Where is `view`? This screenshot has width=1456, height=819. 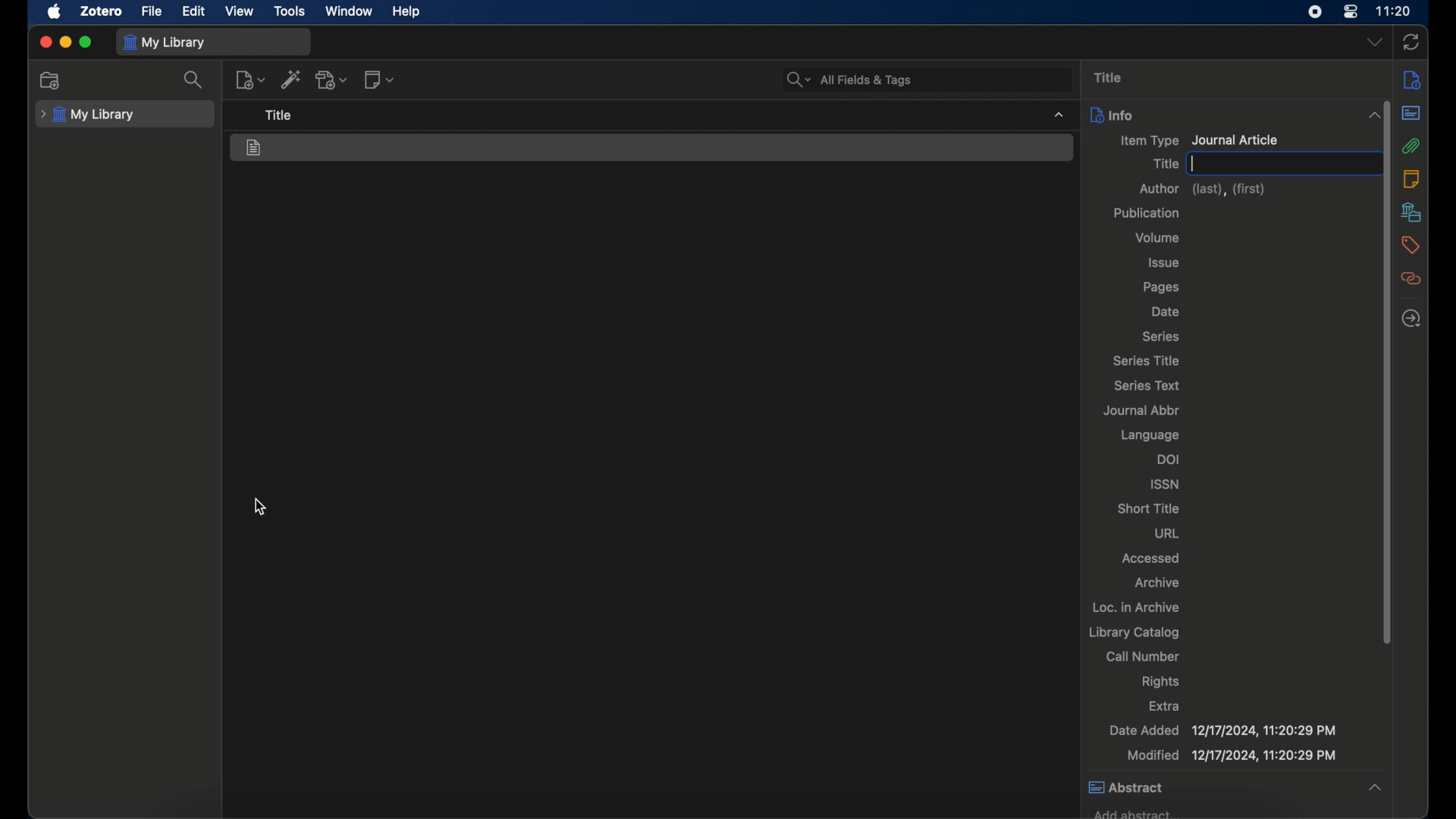 view is located at coordinates (240, 11).